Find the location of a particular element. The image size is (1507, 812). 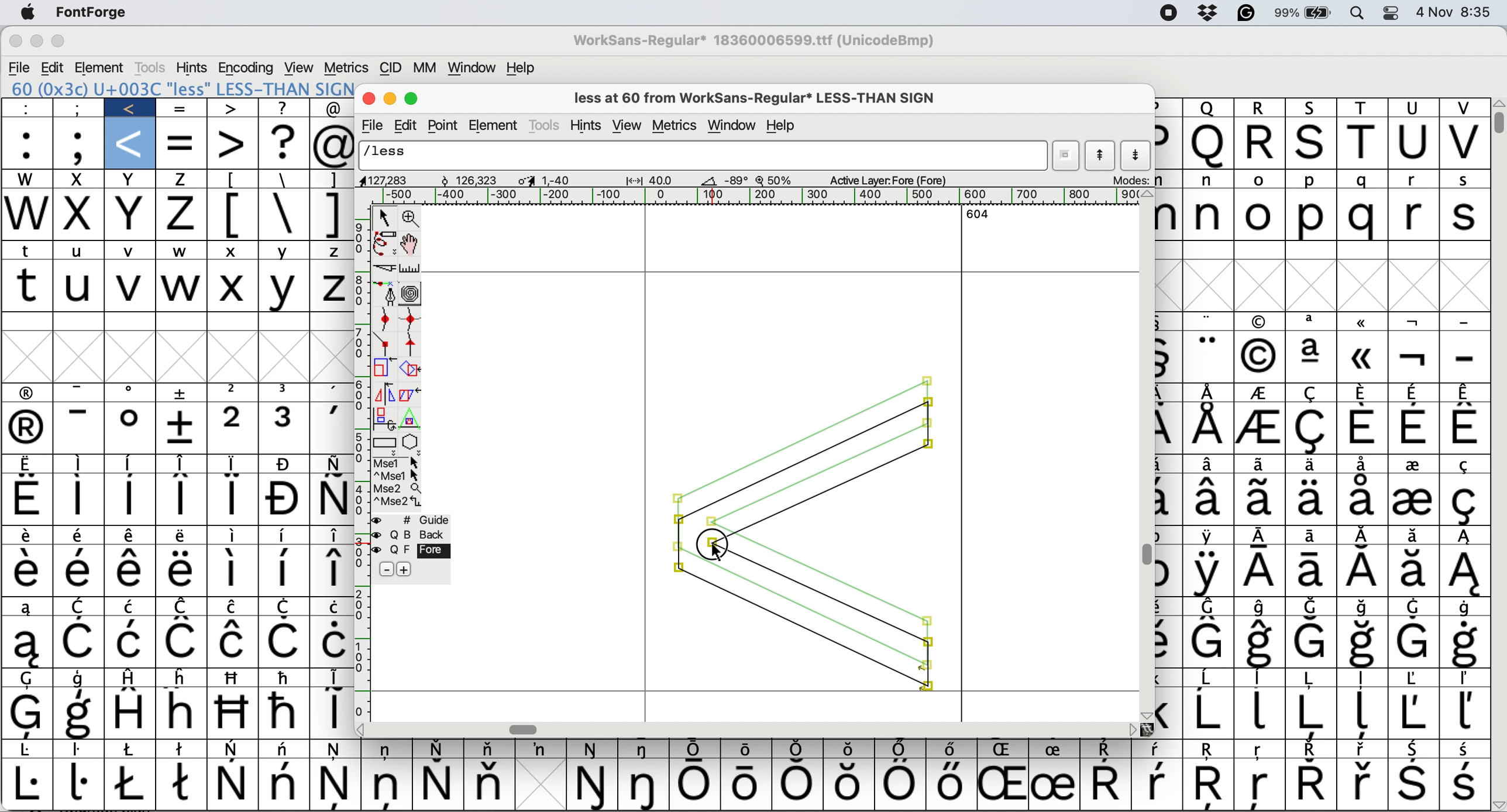

Symbol is located at coordinates (330, 535).